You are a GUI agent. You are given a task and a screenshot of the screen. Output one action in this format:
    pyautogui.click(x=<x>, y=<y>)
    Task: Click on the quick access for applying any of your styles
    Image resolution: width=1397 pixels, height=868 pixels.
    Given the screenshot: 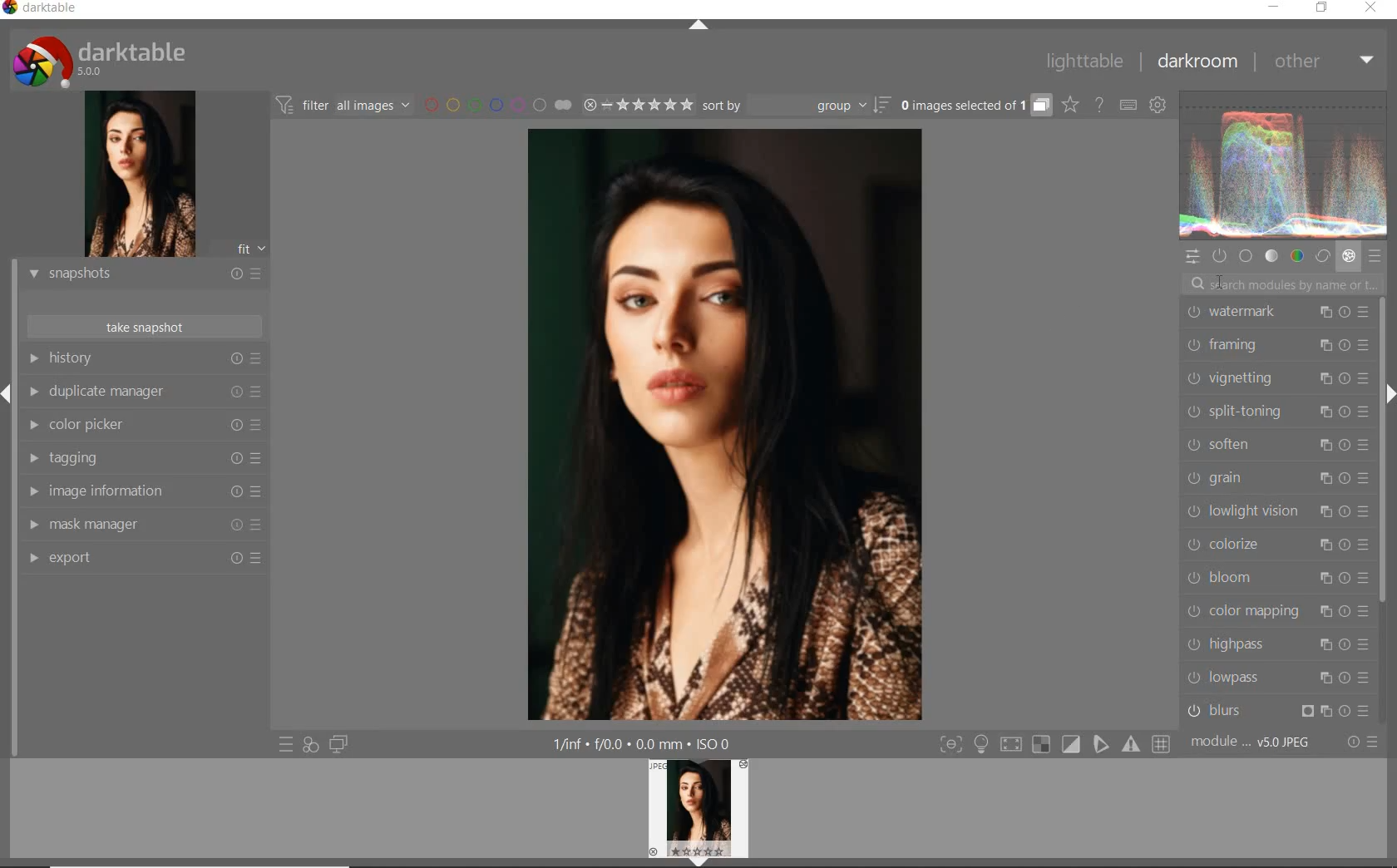 What is the action you would take?
    pyautogui.click(x=310, y=745)
    